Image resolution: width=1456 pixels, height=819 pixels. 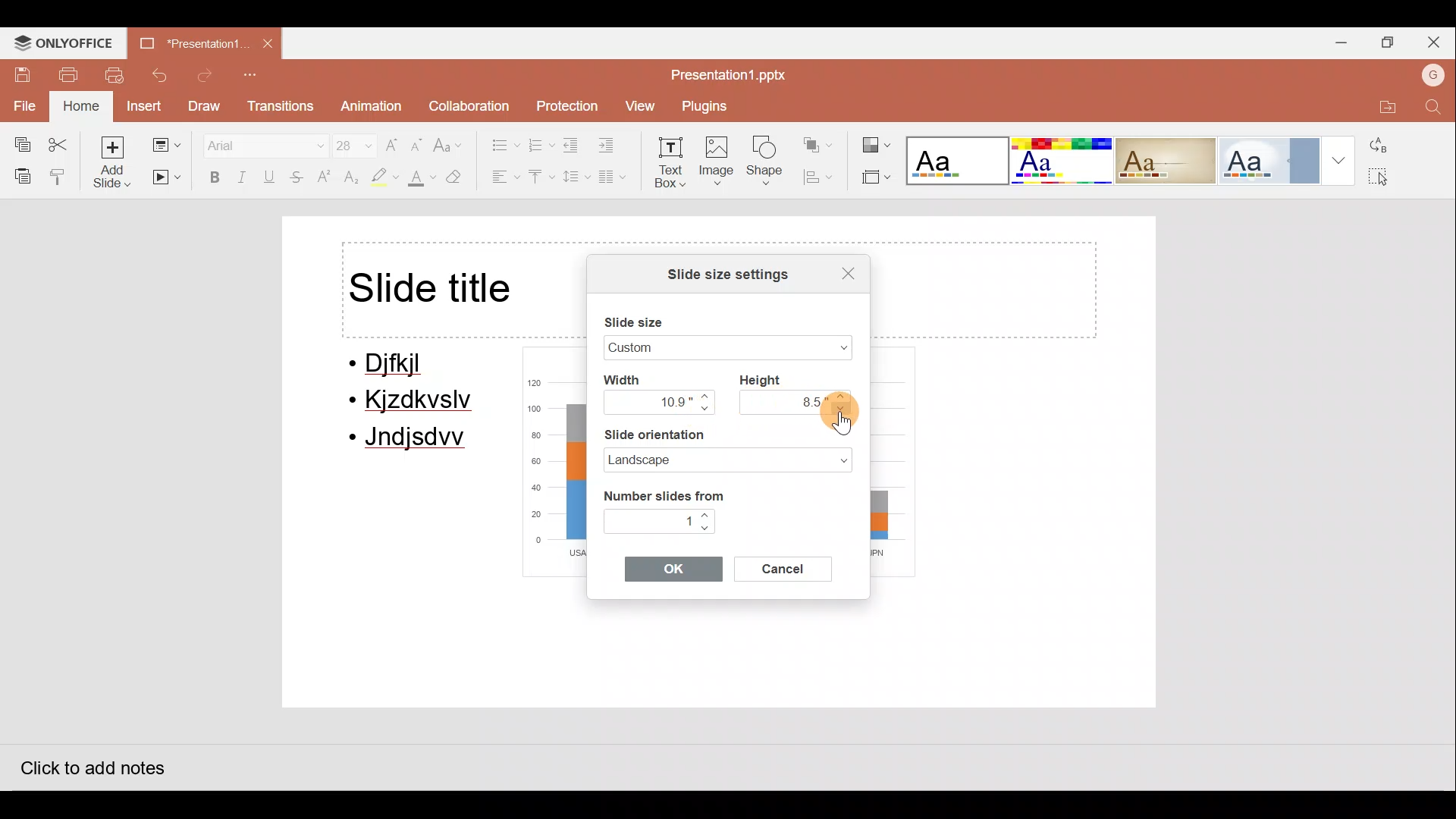 What do you see at coordinates (256, 143) in the screenshot?
I see `Font name` at bounding box center [256, 143].